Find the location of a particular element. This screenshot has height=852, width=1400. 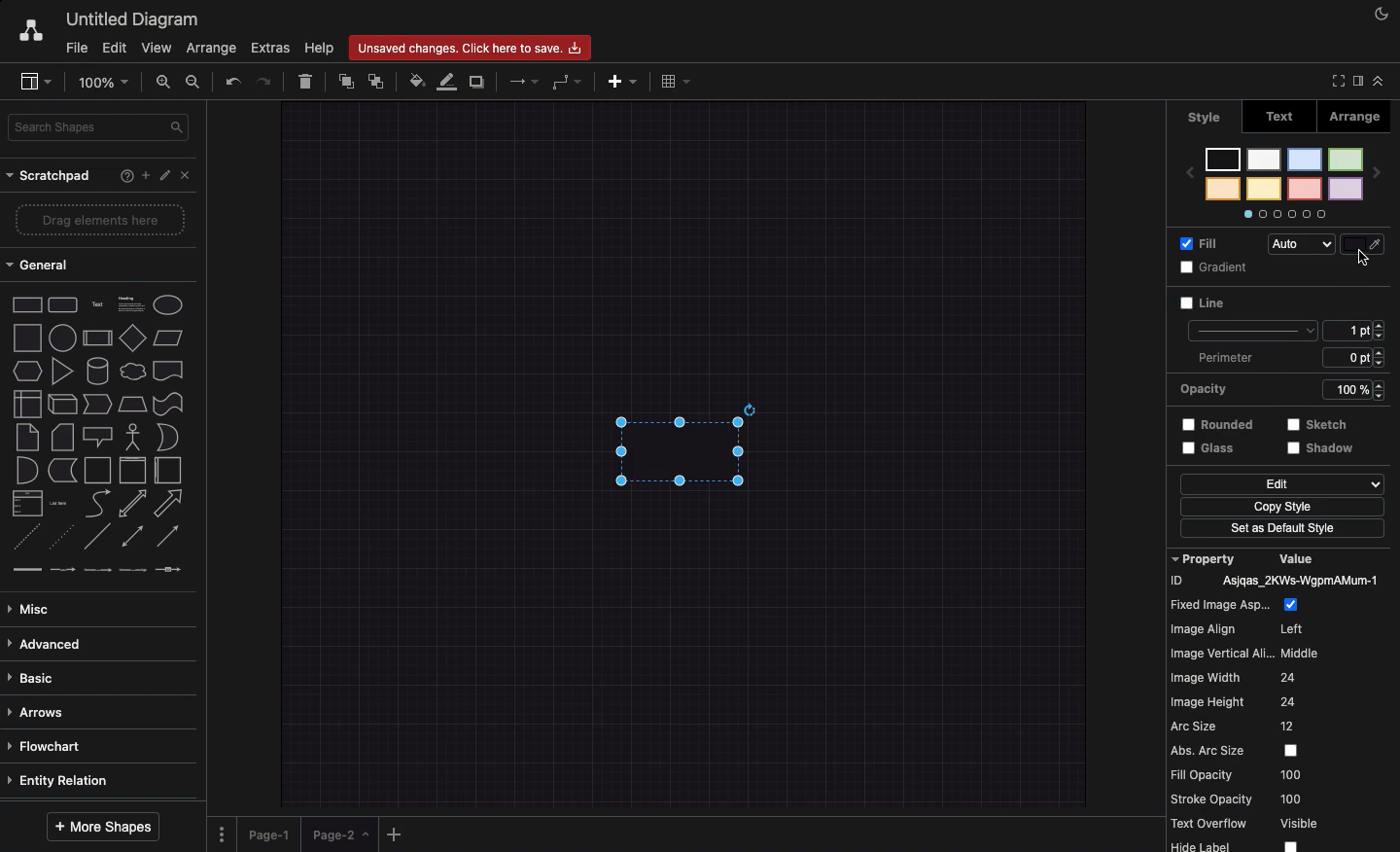

Arrange is located at coordinates (213, 50).